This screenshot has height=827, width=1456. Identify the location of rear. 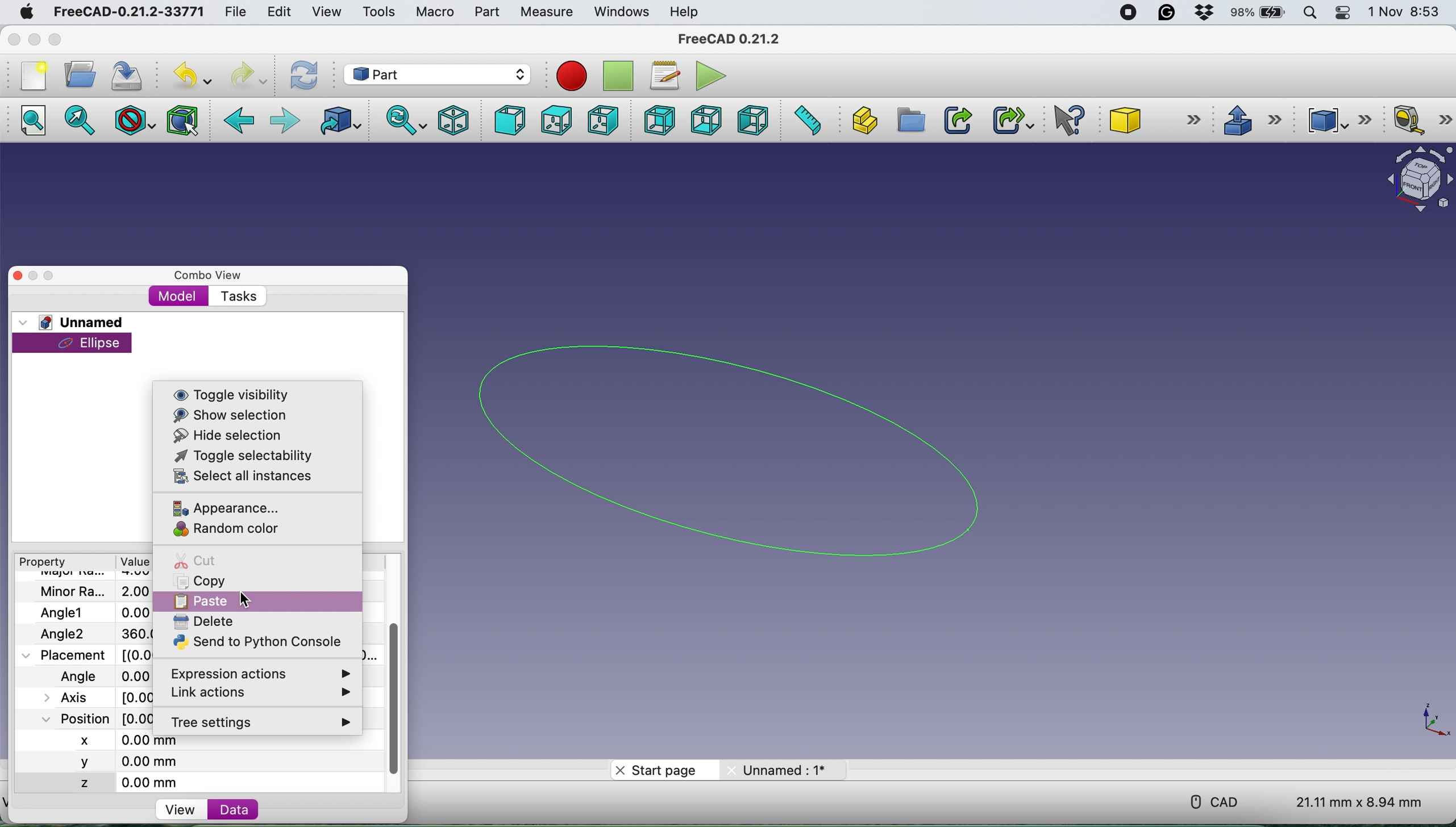
(661, 119).